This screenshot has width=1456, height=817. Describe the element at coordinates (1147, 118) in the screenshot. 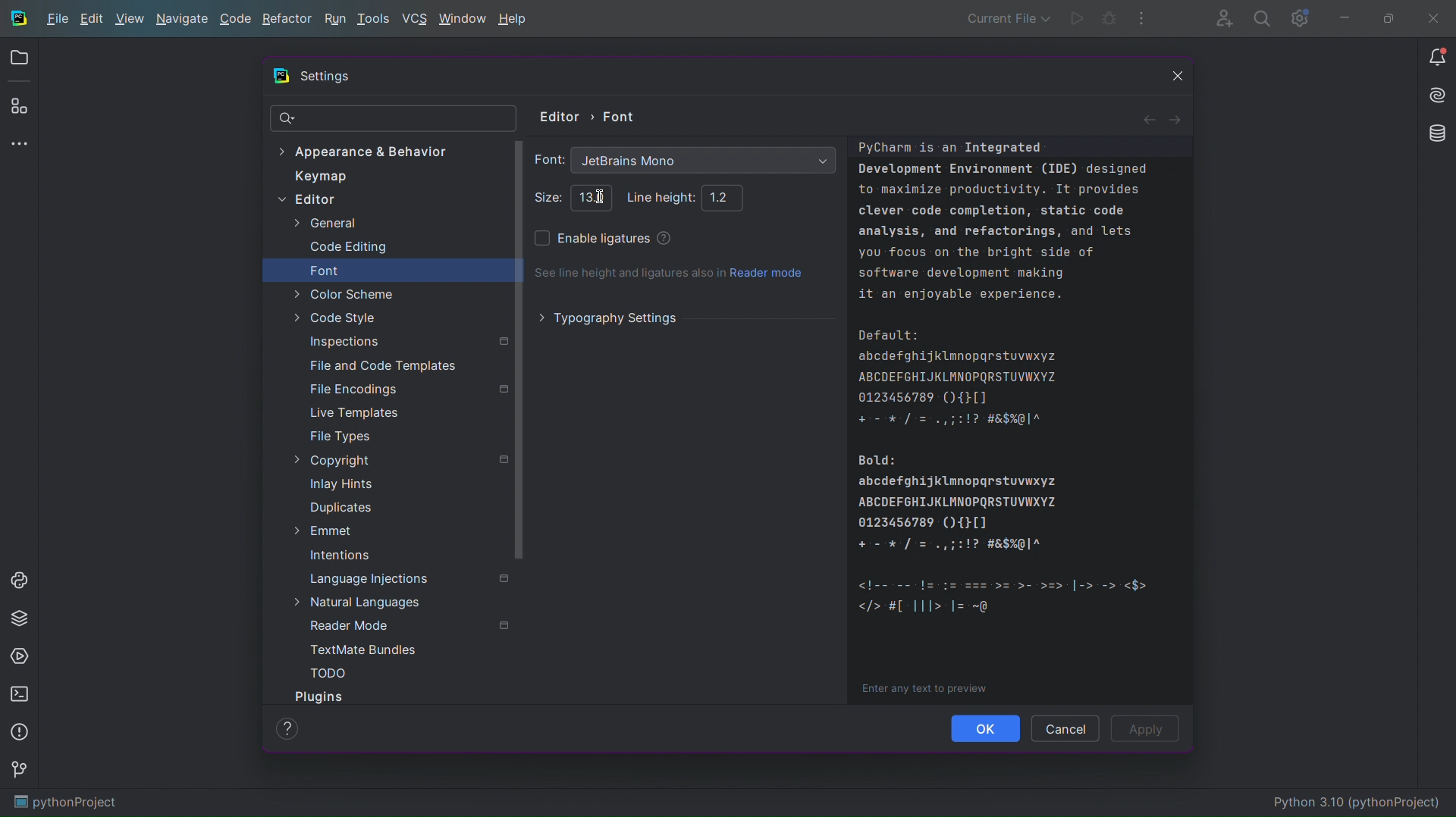

I see `Back` at that location.